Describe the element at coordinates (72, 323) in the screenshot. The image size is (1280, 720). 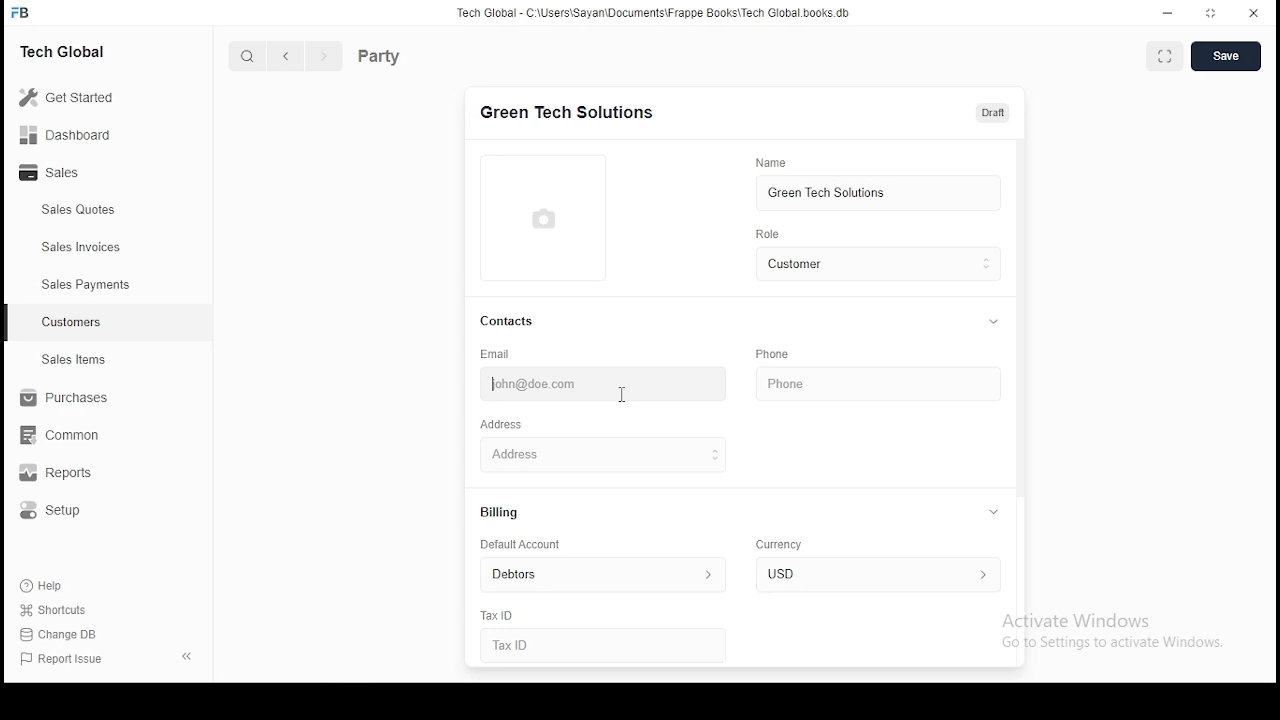
I see `customers` at that location.